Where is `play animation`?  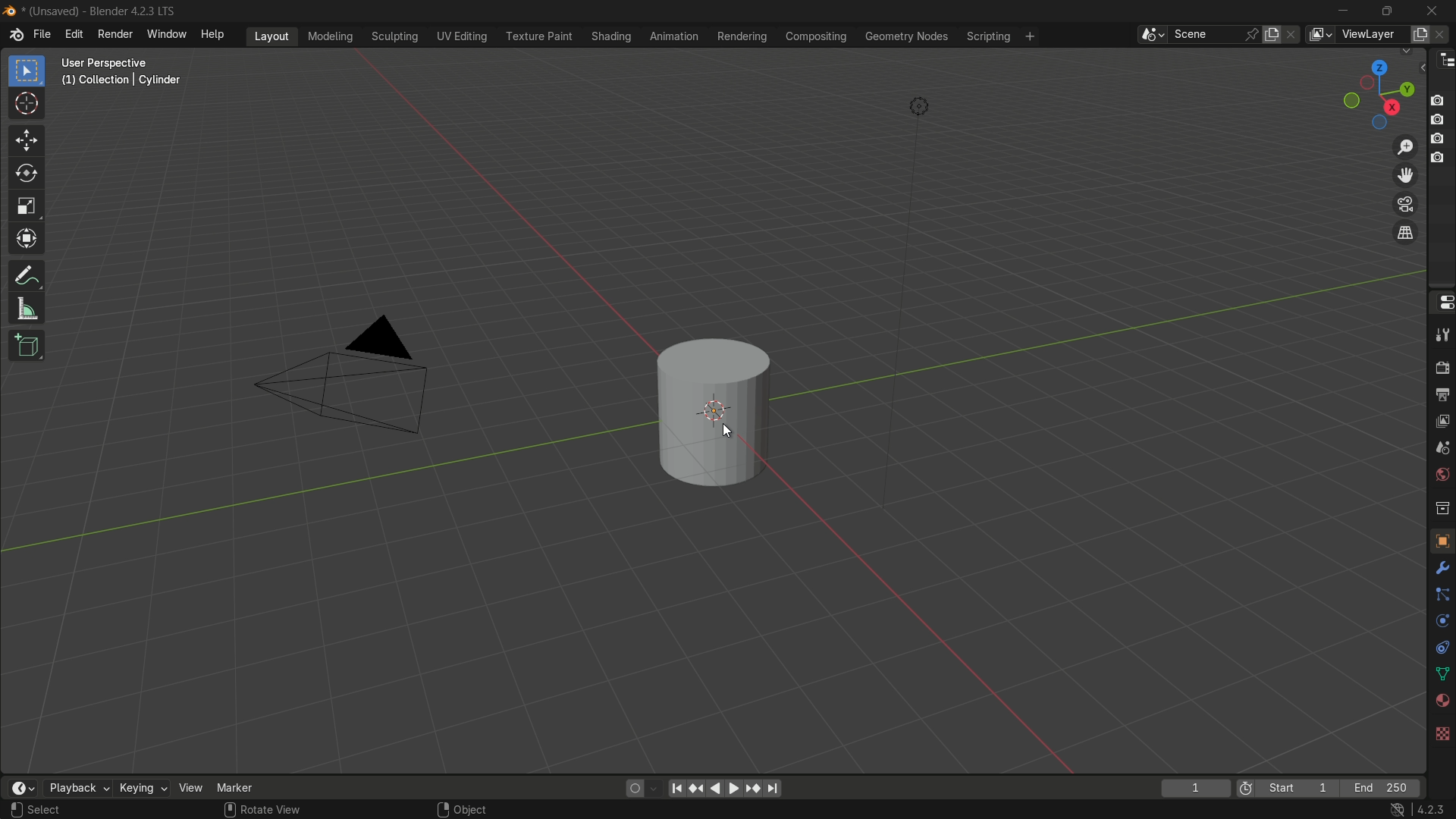
play animation is located at coordinates (723, 788).